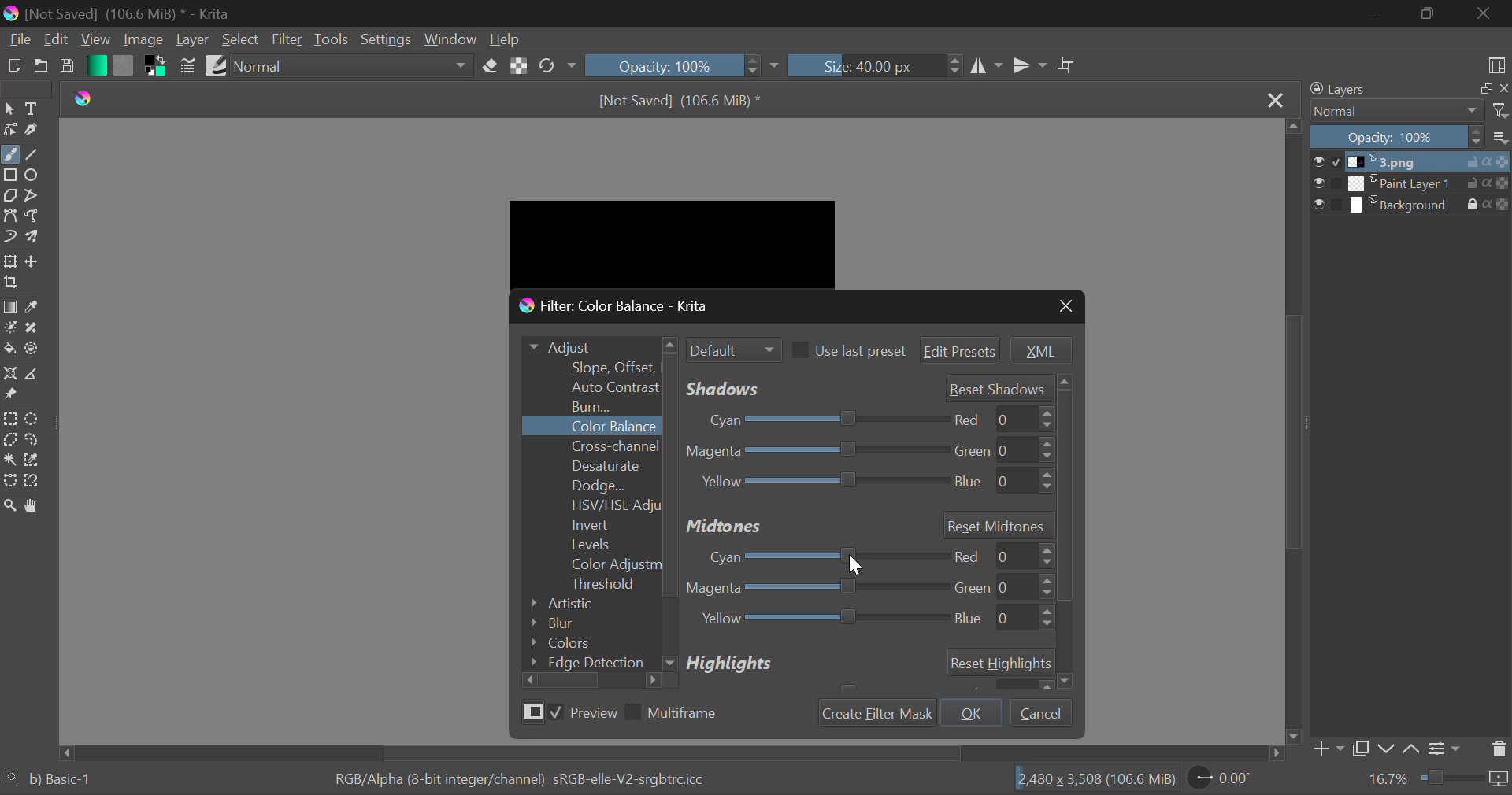  I want to click on , so click(1063, 532).